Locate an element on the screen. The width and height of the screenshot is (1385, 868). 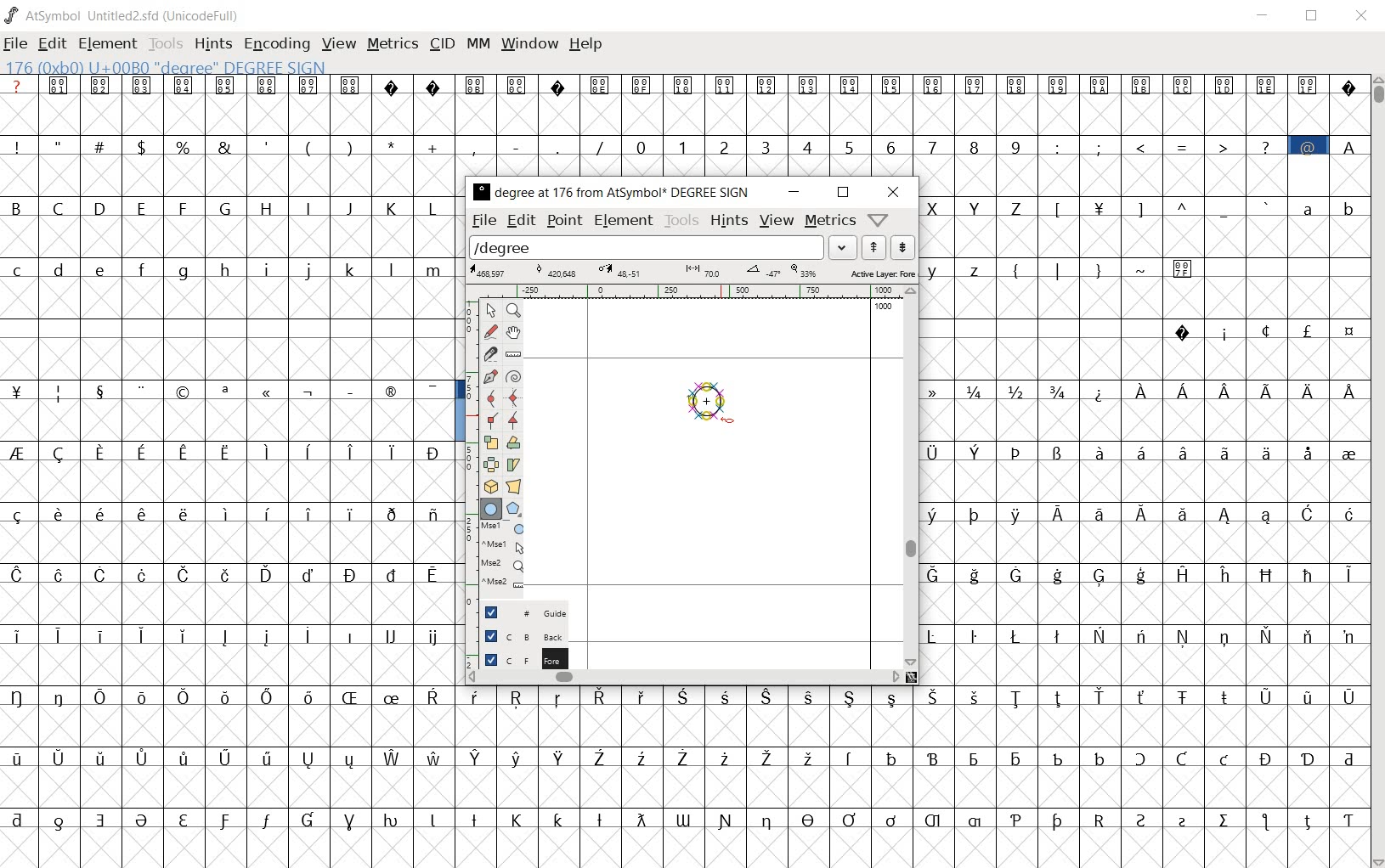
empty glyph slots is located at coordinates (232, 664).